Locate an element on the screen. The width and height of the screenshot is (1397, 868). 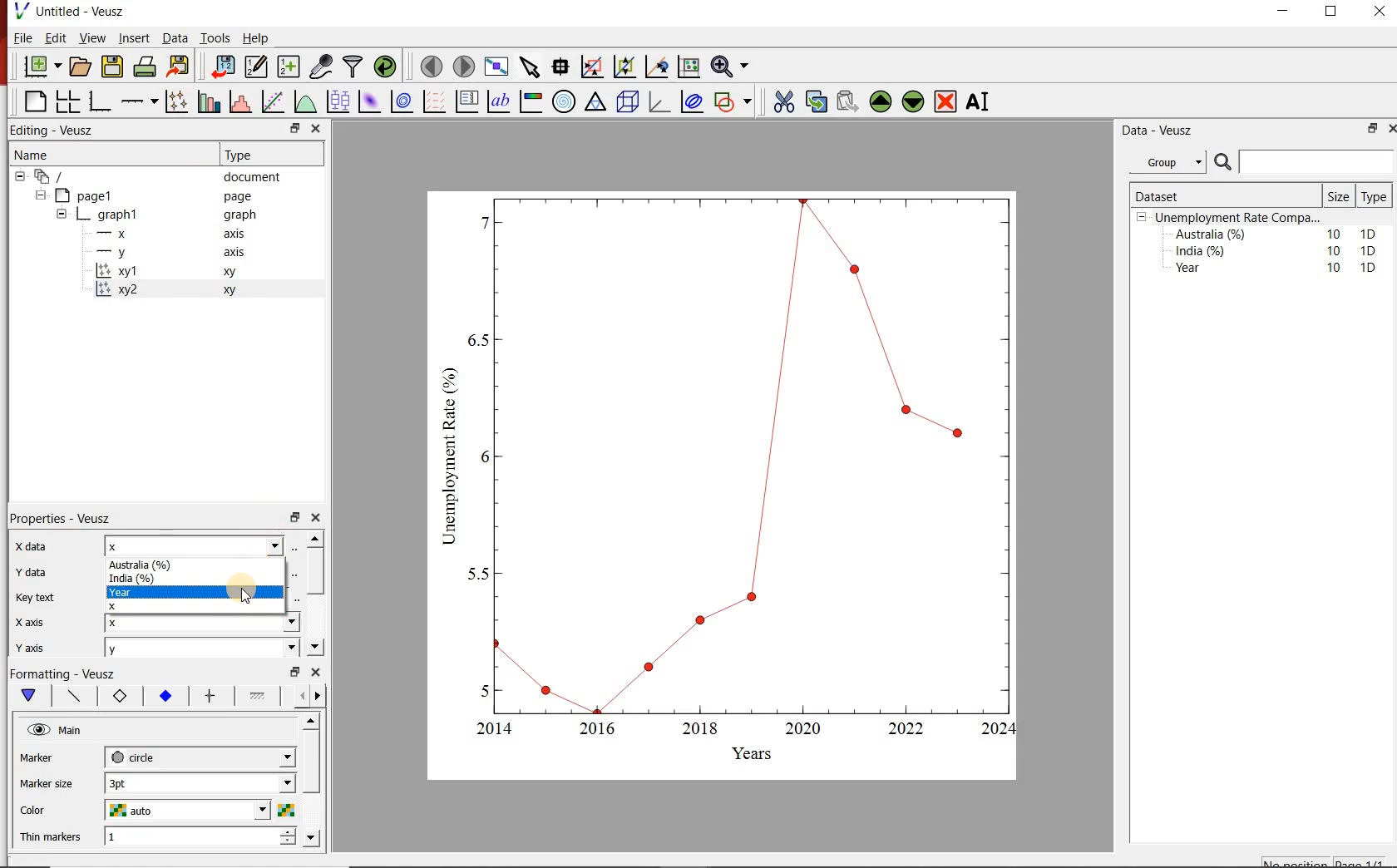
Insert is located at coordinates (133, 37).